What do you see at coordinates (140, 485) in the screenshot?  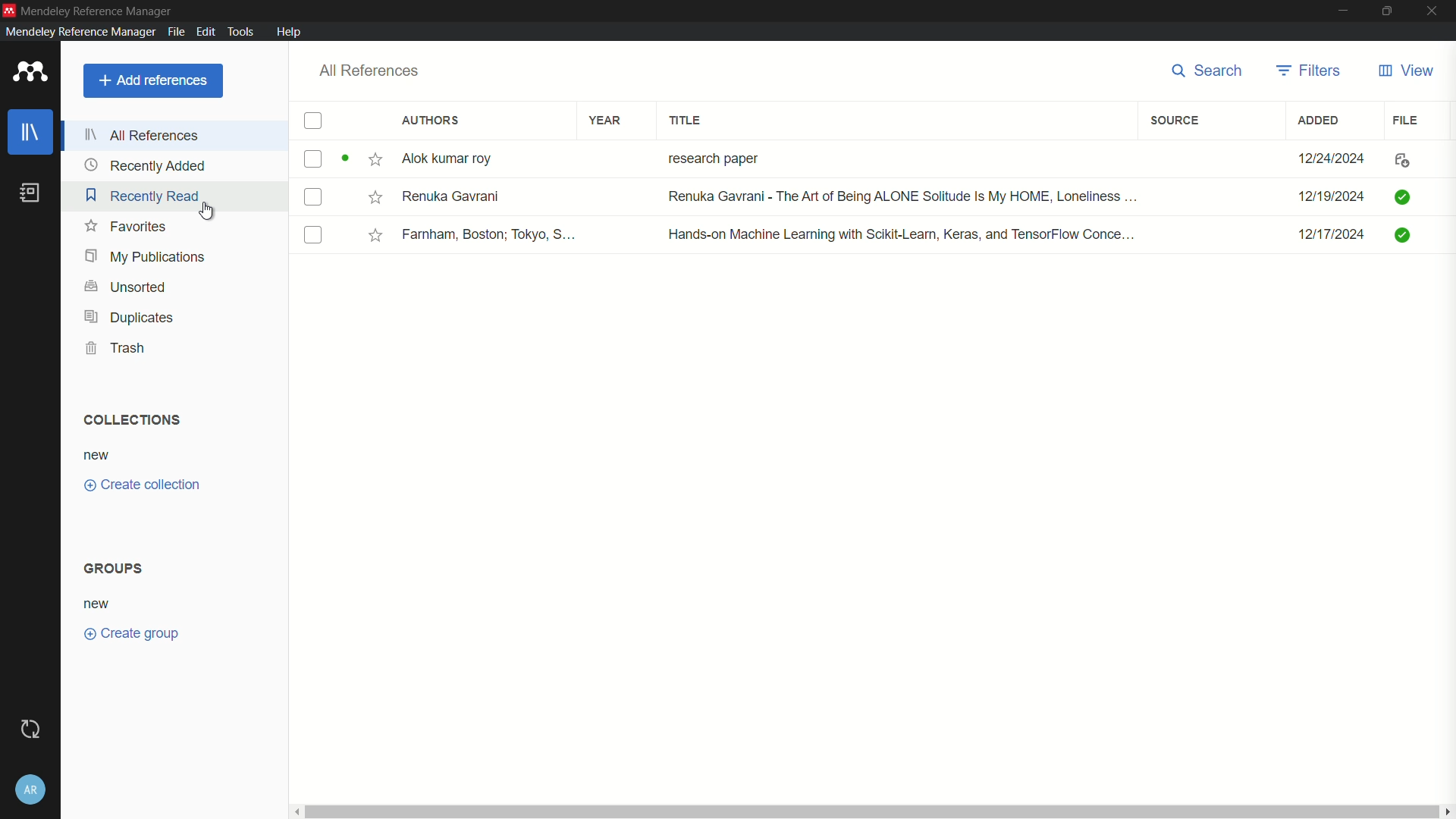 I see `create collection` at bounding box center [140, 485].